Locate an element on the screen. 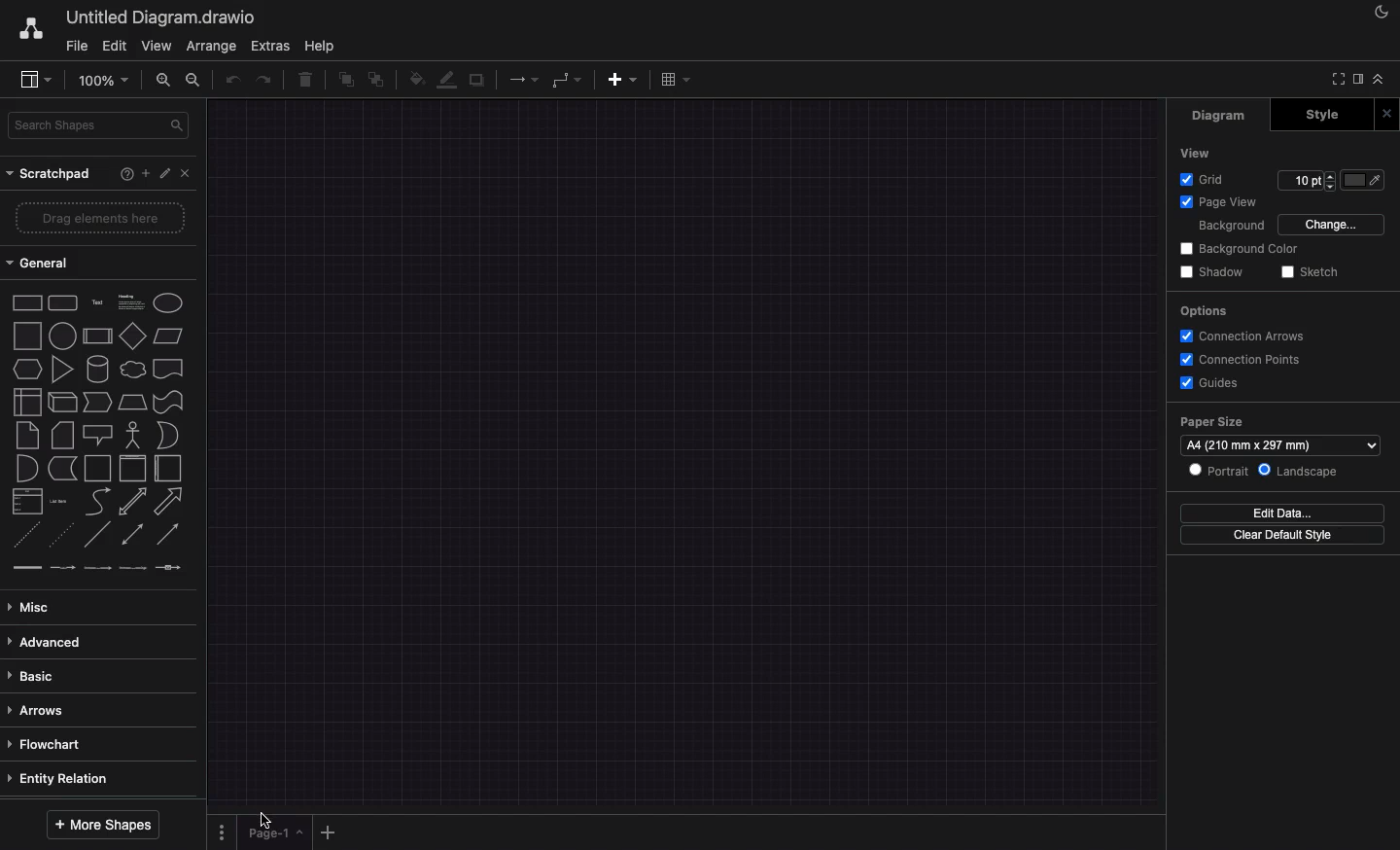 Image resolution: width=1400 pixels, height=850 pixels. Input for Grid points is located at coordinates (1307, 180).